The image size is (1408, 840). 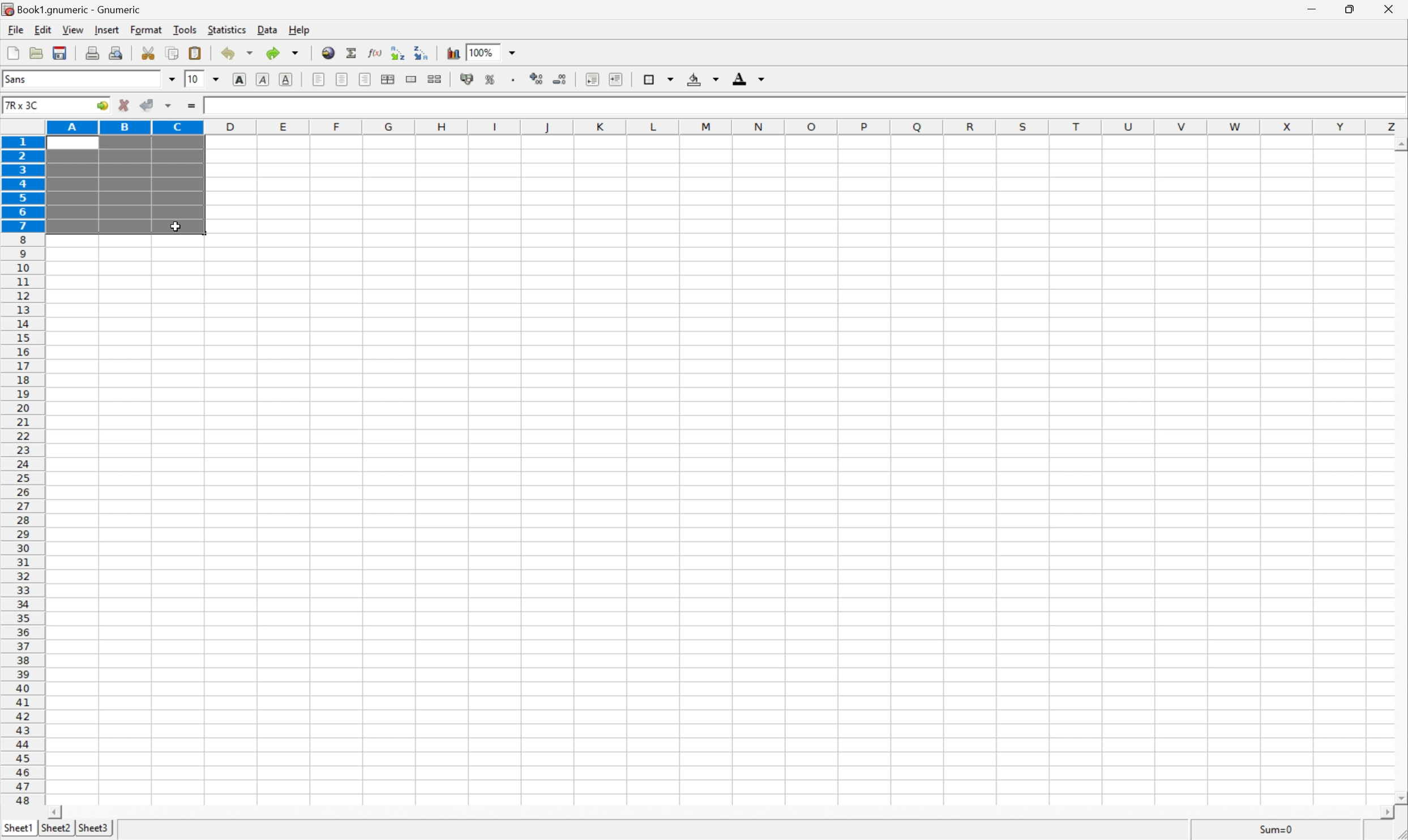 I want to click on underline, so click(x=287, y=78).